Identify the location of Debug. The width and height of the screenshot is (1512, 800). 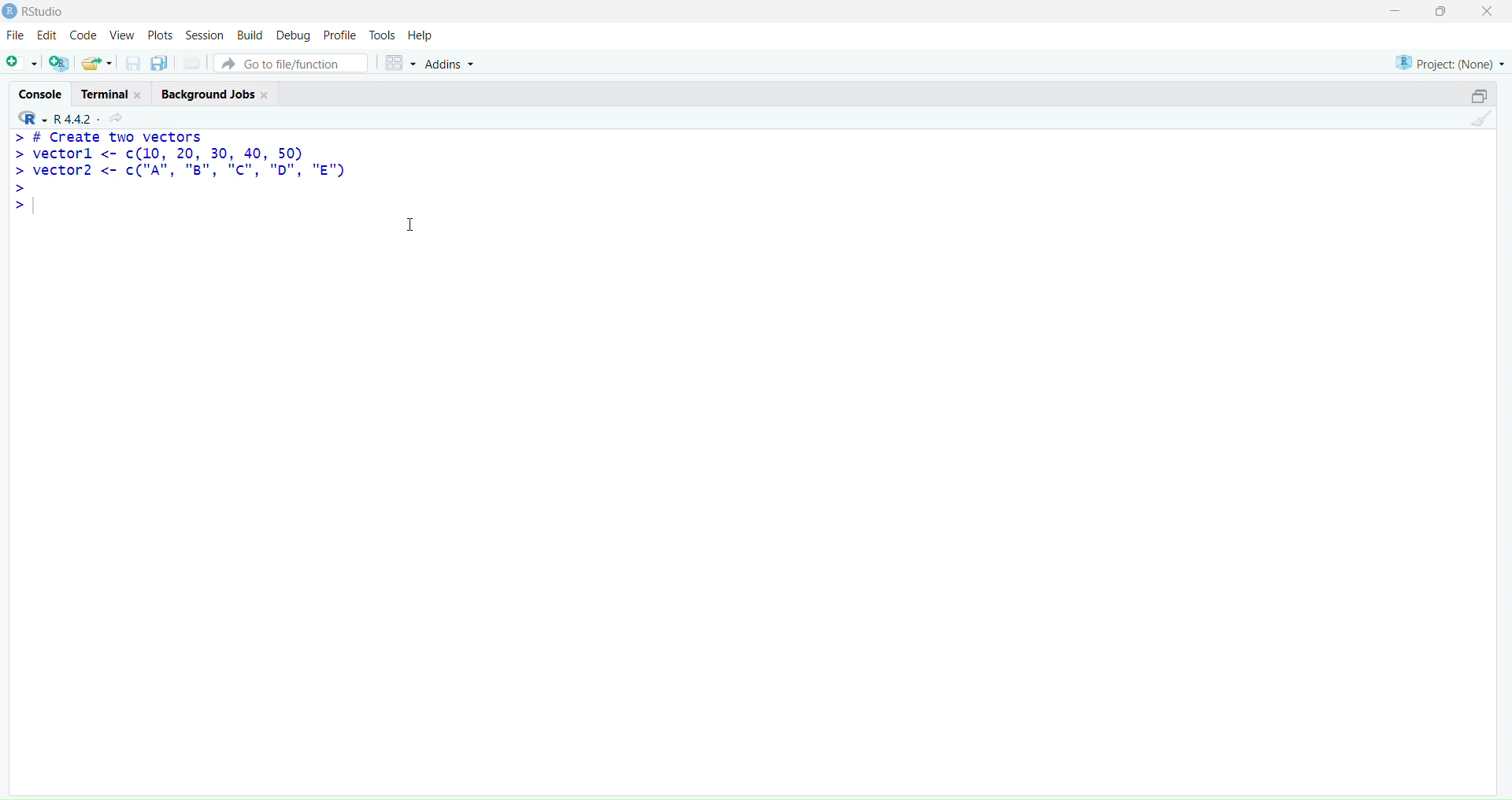
(295, 35).